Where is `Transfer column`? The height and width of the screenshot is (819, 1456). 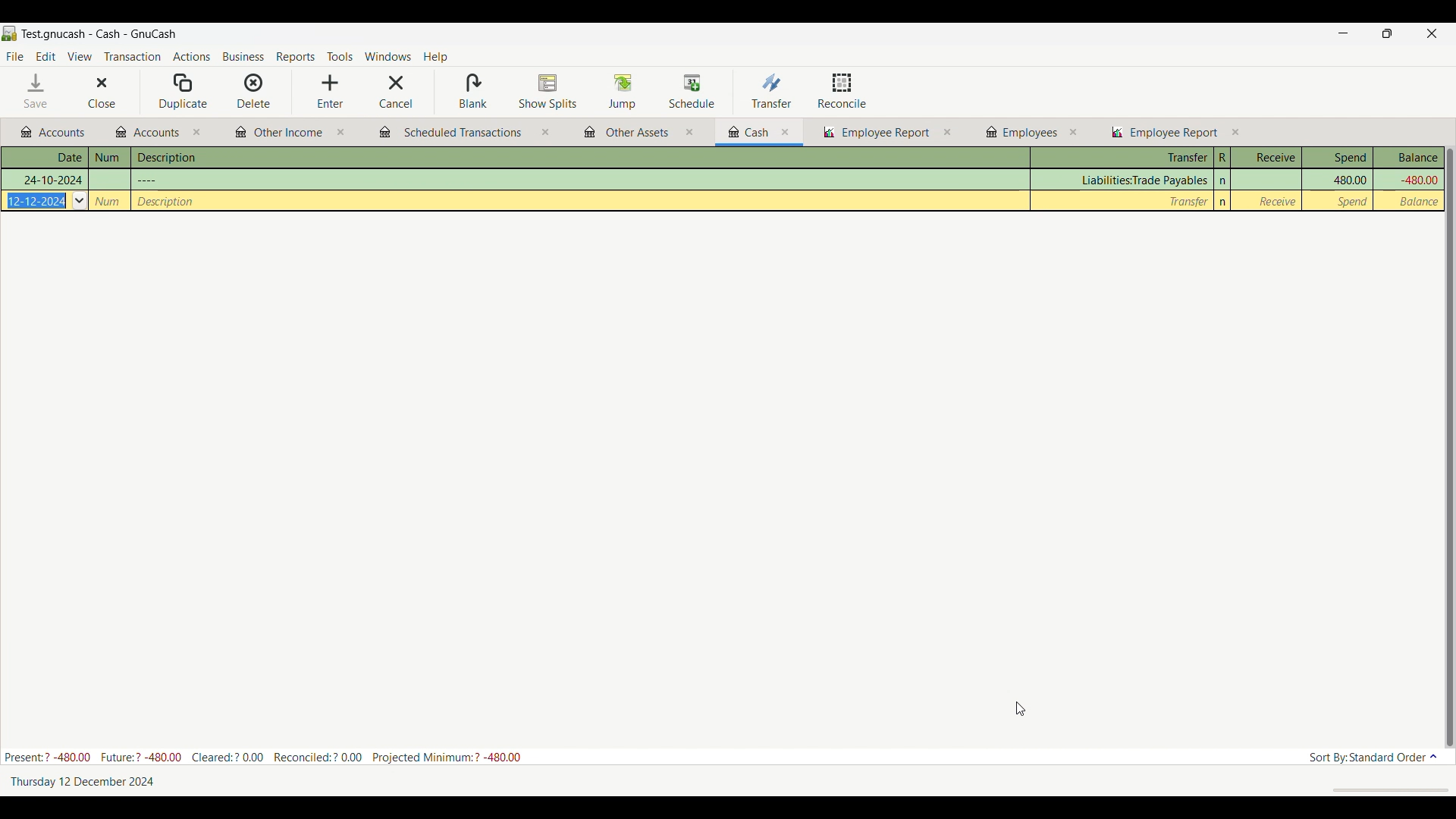 Transfer column is located at coordinates (1189, 201).